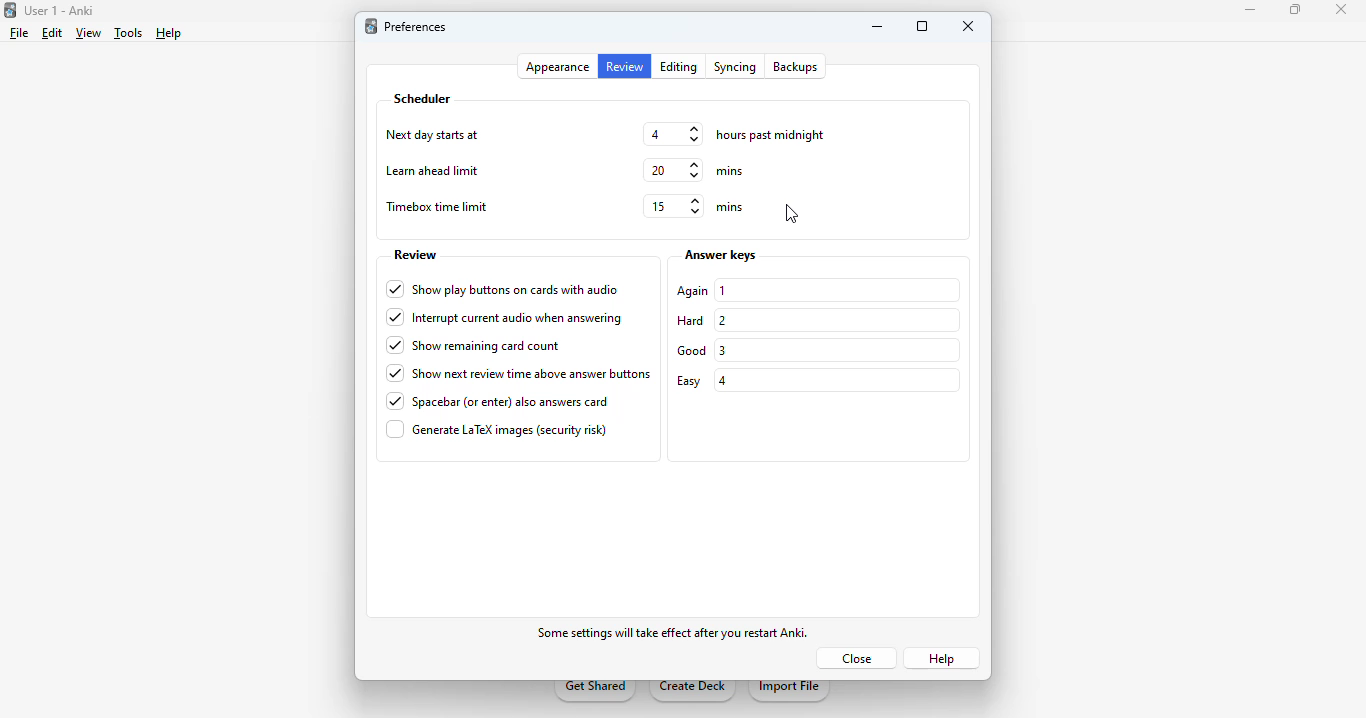 The width and height of the screenshot is (1366, 718). What do you see at coordinates (1252, 10) in the screenshot?
I see `minimize` at bounding box center [1252, 10].